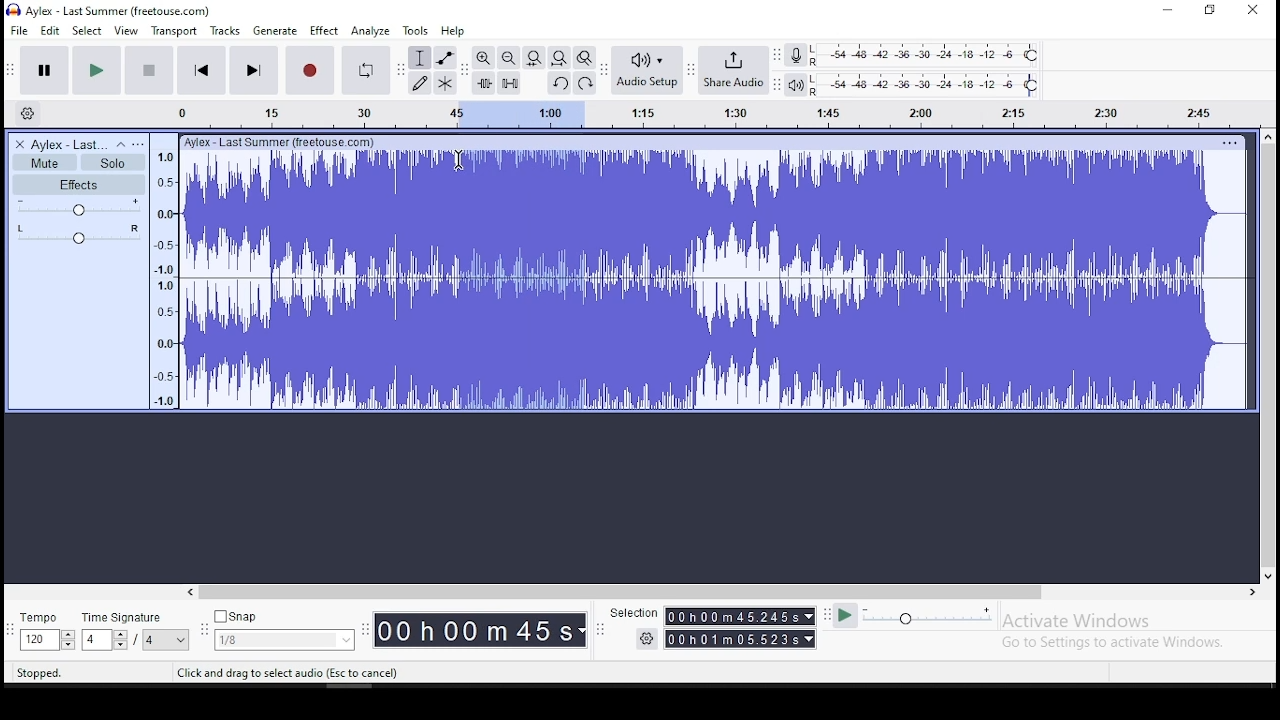 The height and width of the screenshot is (720, 1280). I want to click on open menu, so click(139, 144).